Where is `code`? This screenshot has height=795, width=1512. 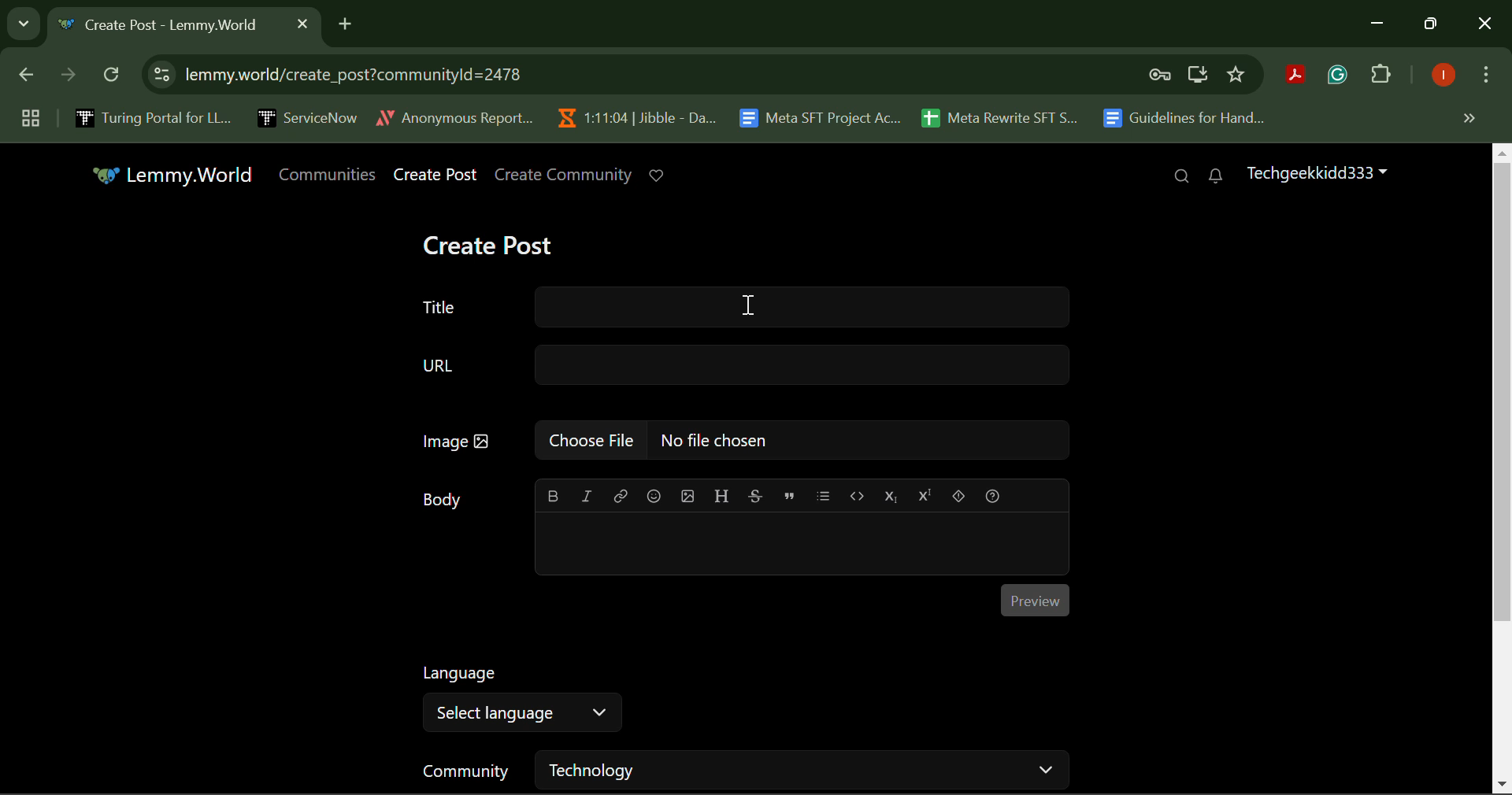
code is located at coordinates (855, 494).